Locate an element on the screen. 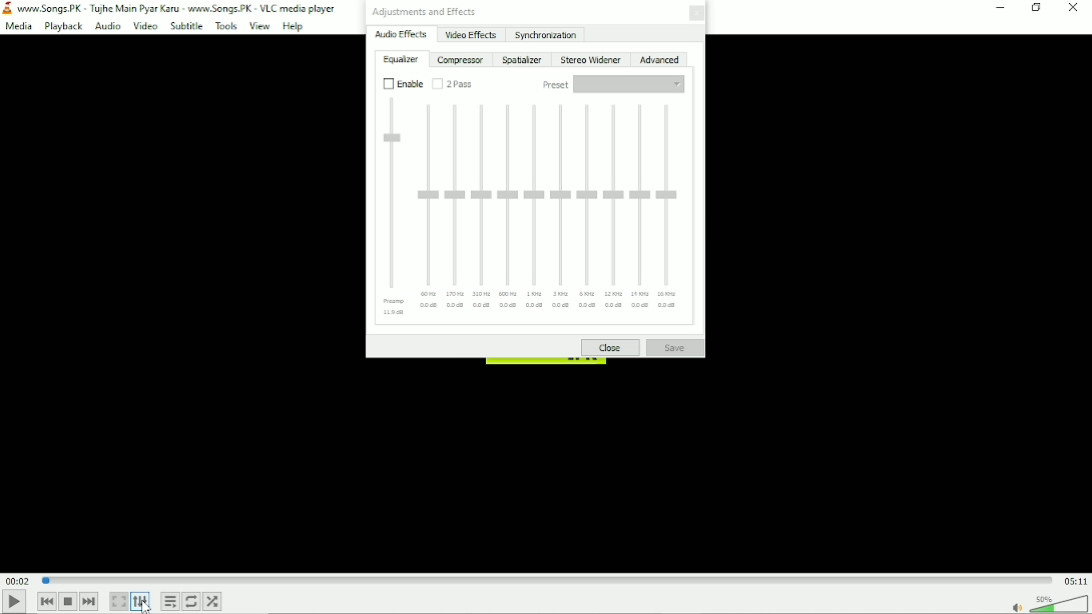 The image size is (1092, 614). Elapsed time is located at coordinates (19, 580).